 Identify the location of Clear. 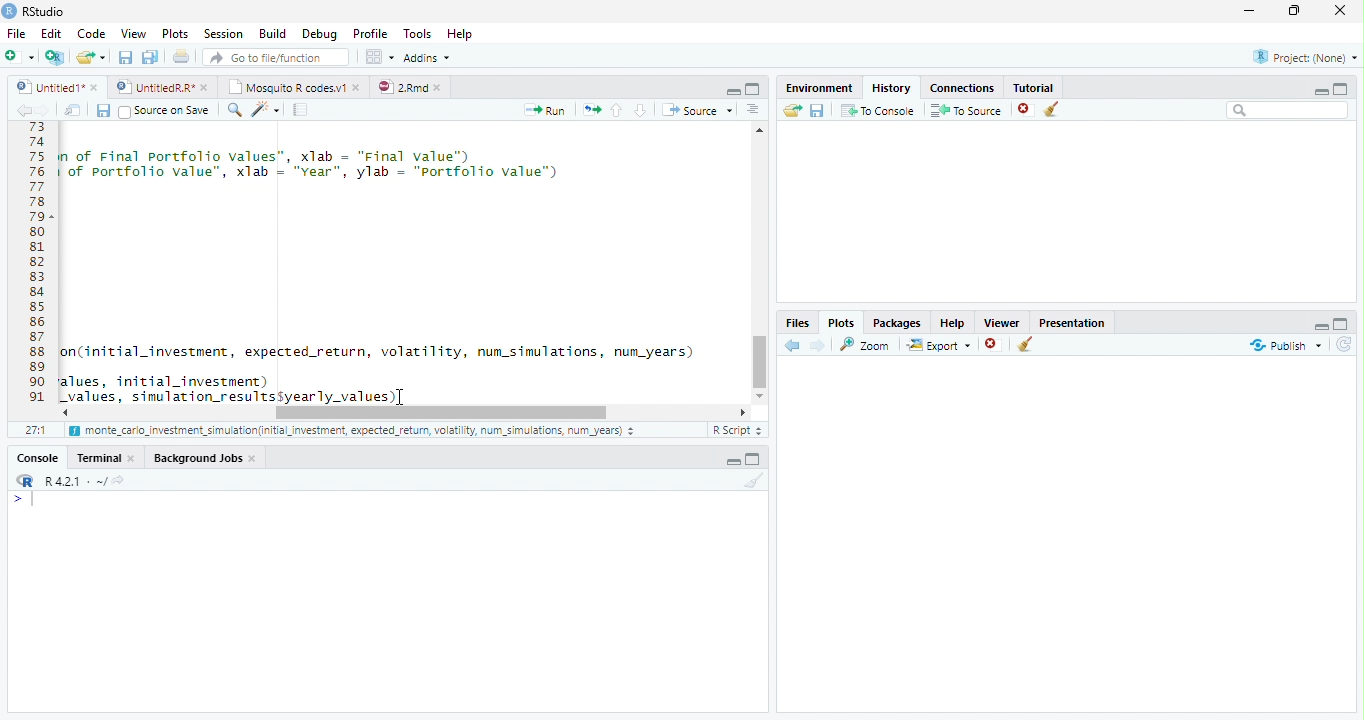
(1026, 346).